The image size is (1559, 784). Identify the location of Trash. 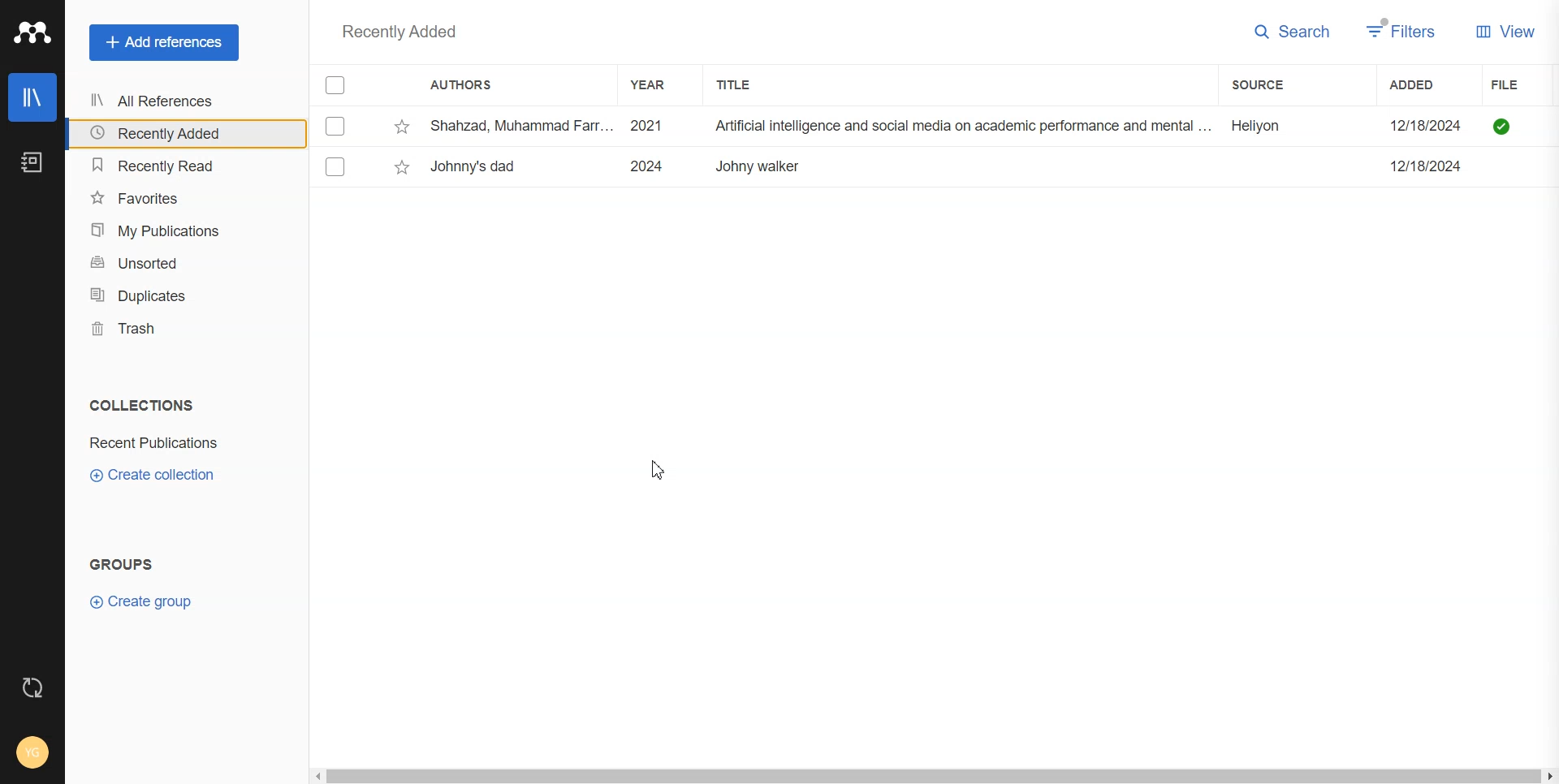
(180, 328).